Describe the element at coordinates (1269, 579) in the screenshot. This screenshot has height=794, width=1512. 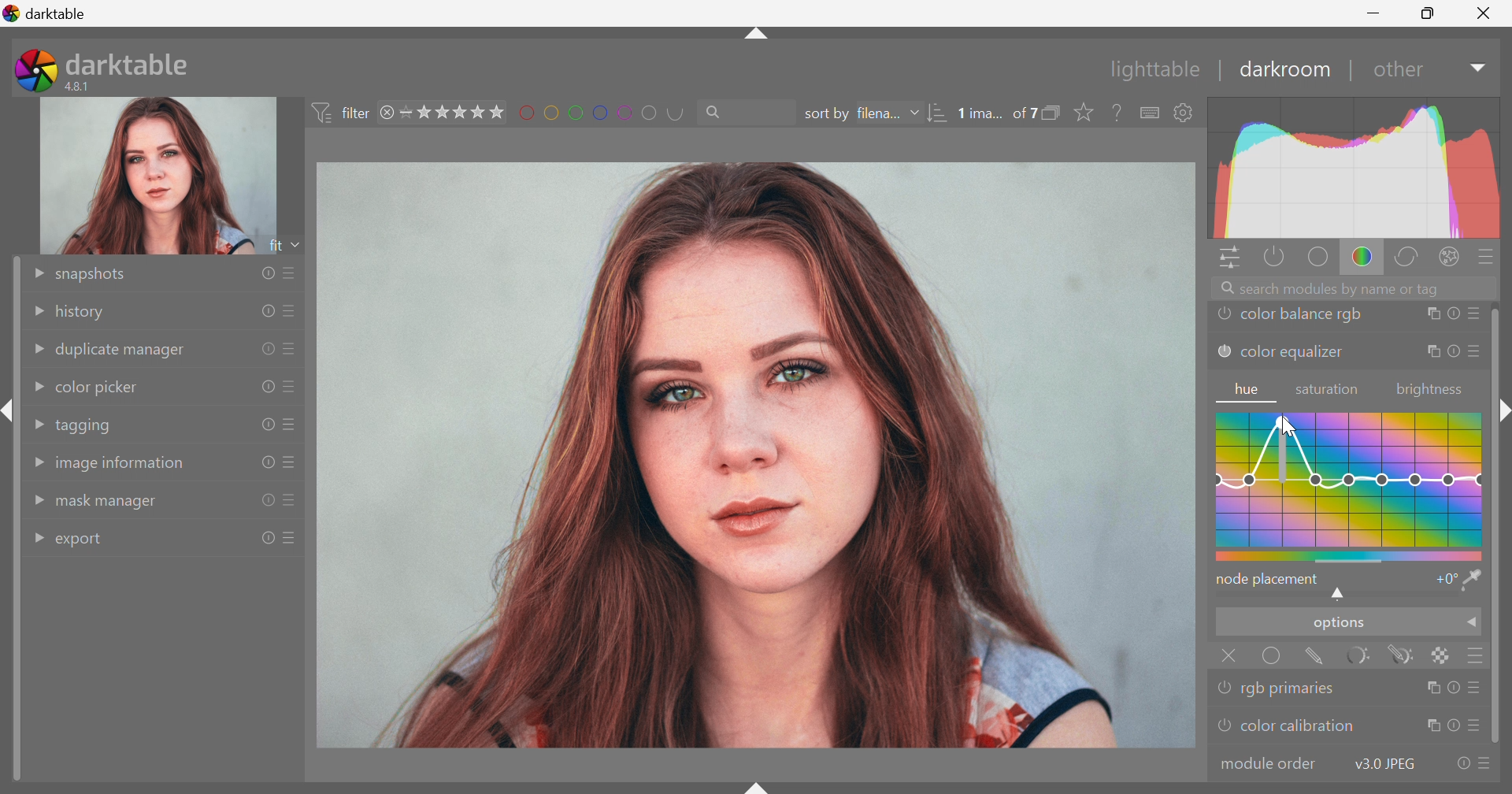
I see `node placement` at that location.